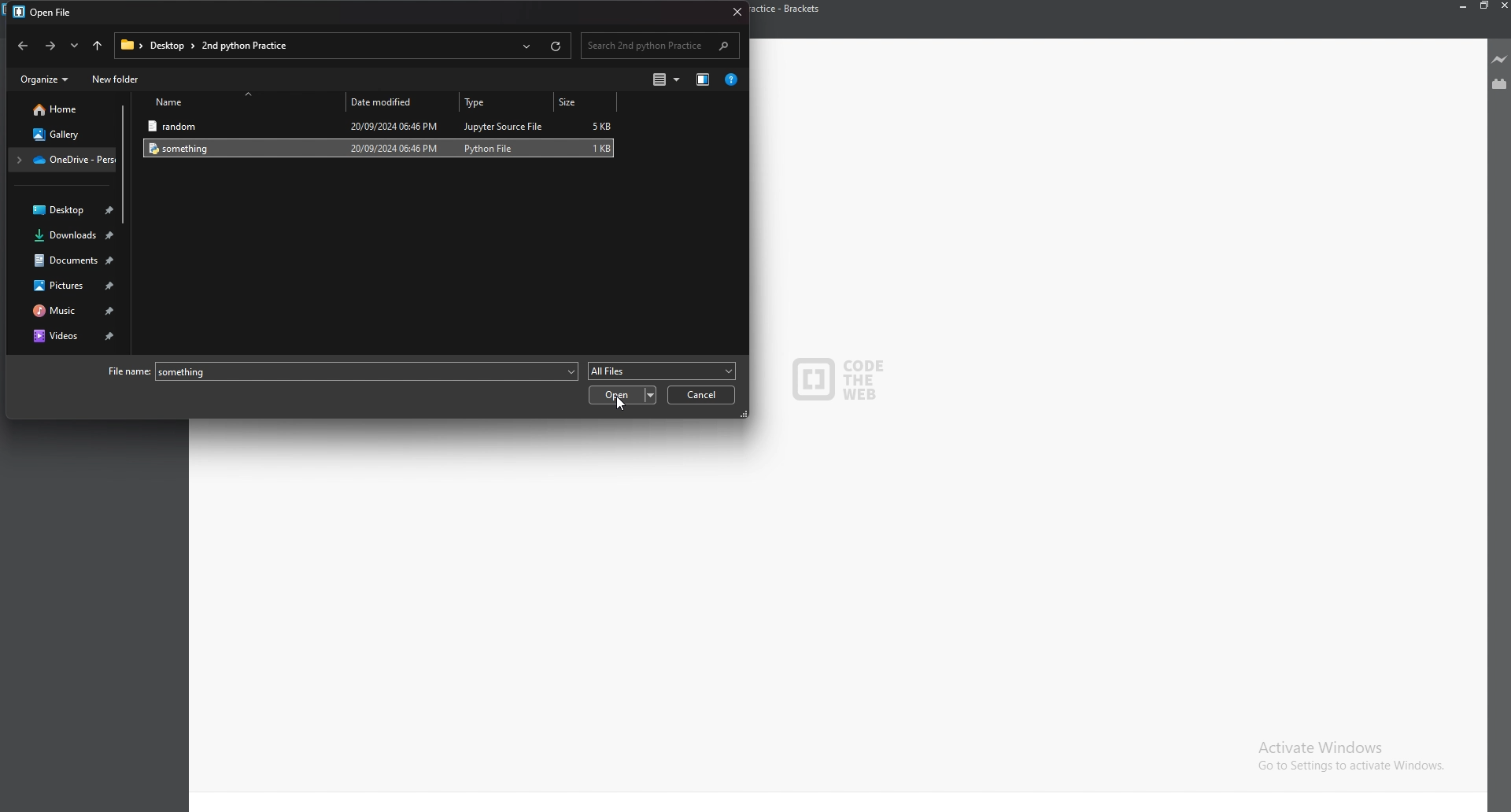 Image resolution: width=1511 pixels, height=812 pixels. I want to click on scroll bar, so click(124, 165).